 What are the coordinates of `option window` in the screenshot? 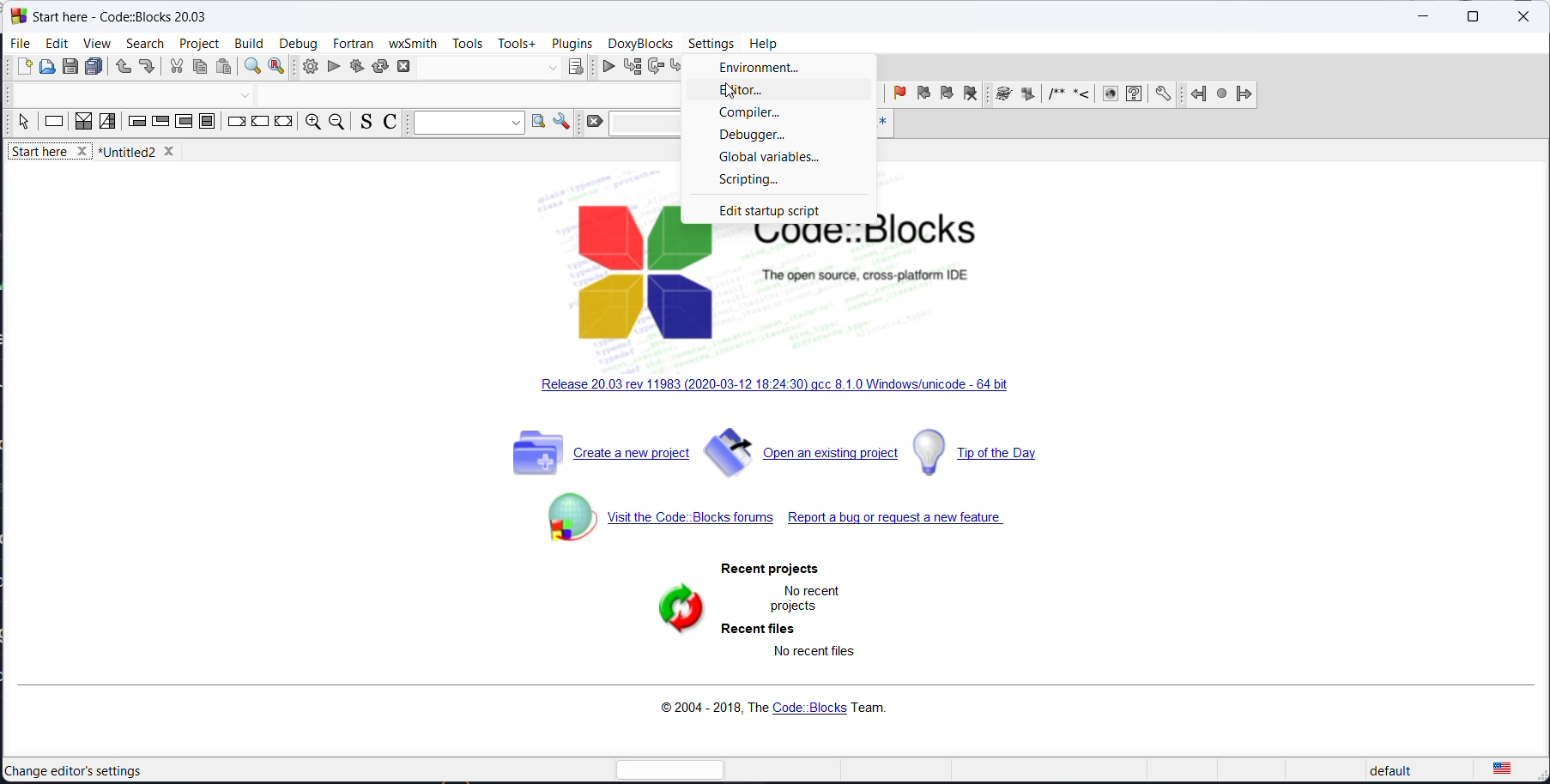 It's located at (538, 124).